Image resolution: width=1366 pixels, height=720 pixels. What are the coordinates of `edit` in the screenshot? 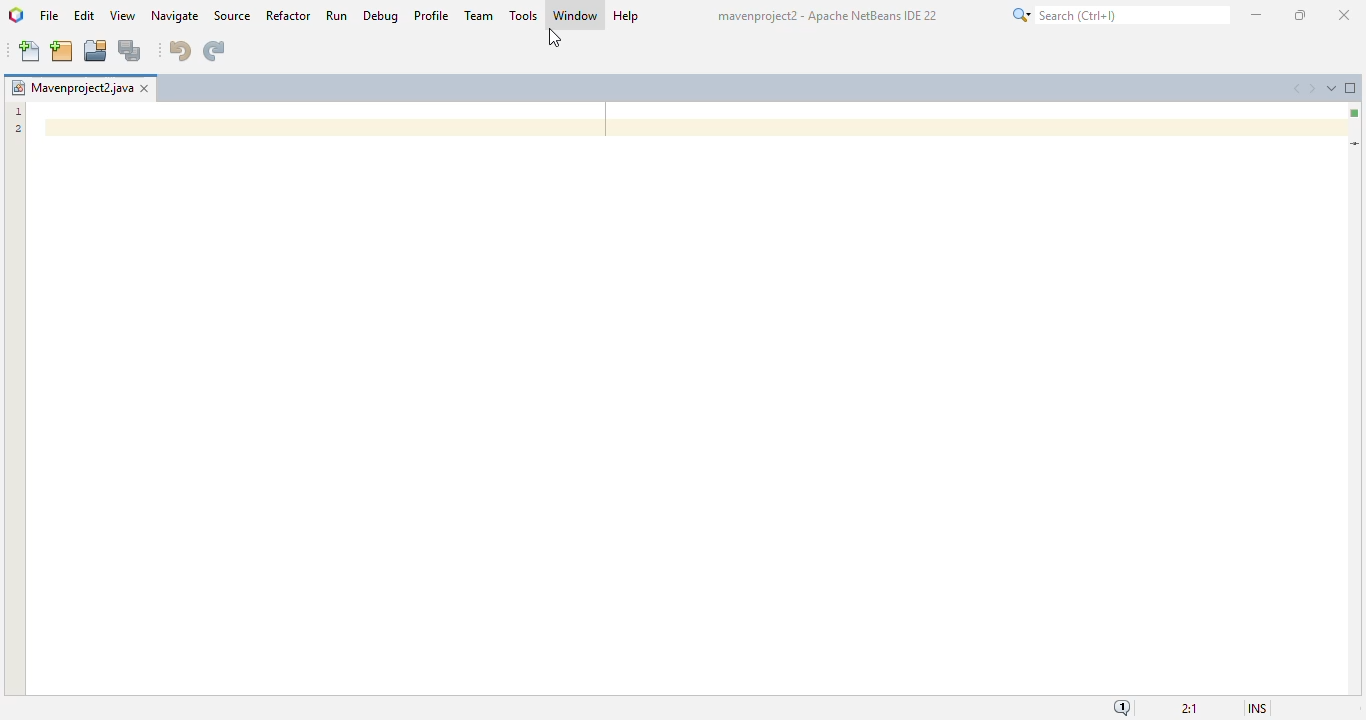 It's located at (84, 15).